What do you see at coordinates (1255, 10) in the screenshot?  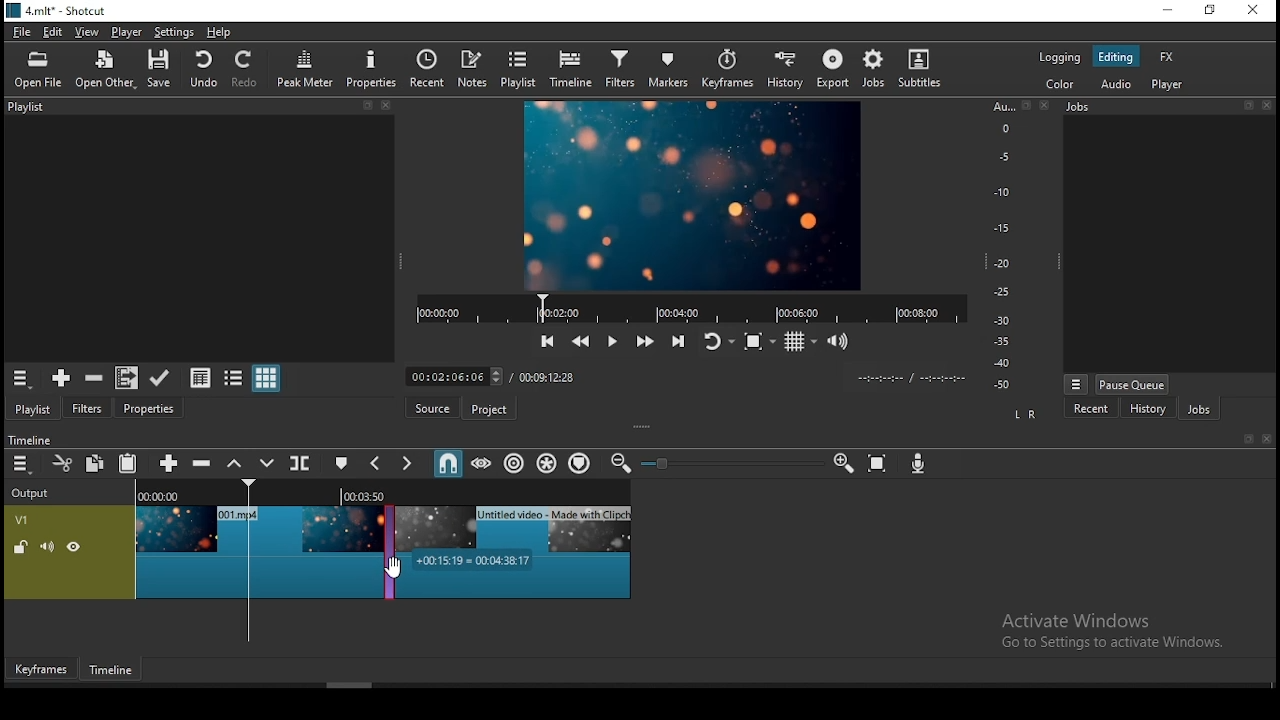 I see `close window` at bounding box center [1255, 10].